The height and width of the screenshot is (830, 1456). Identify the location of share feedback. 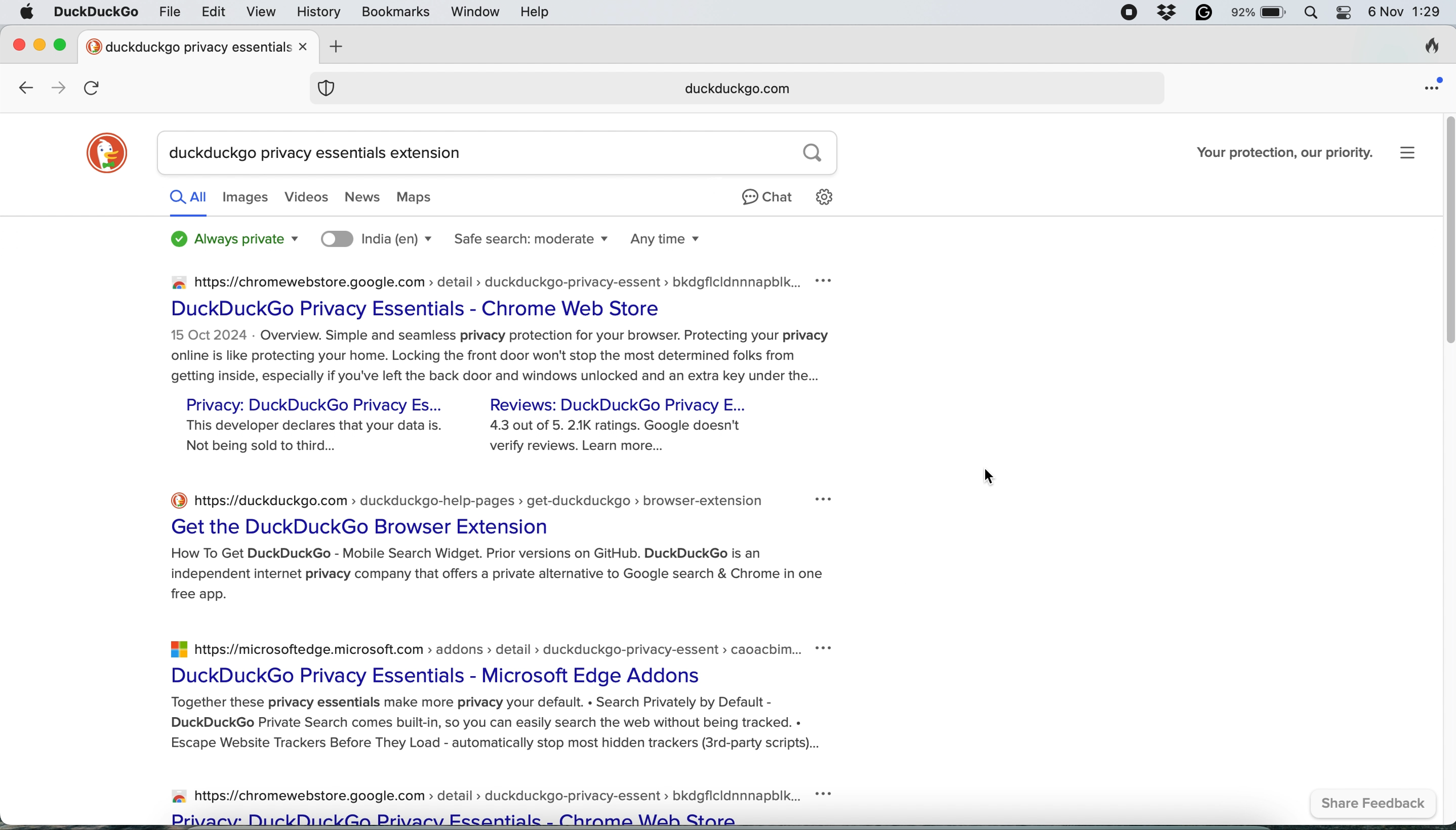
(1368, 804).